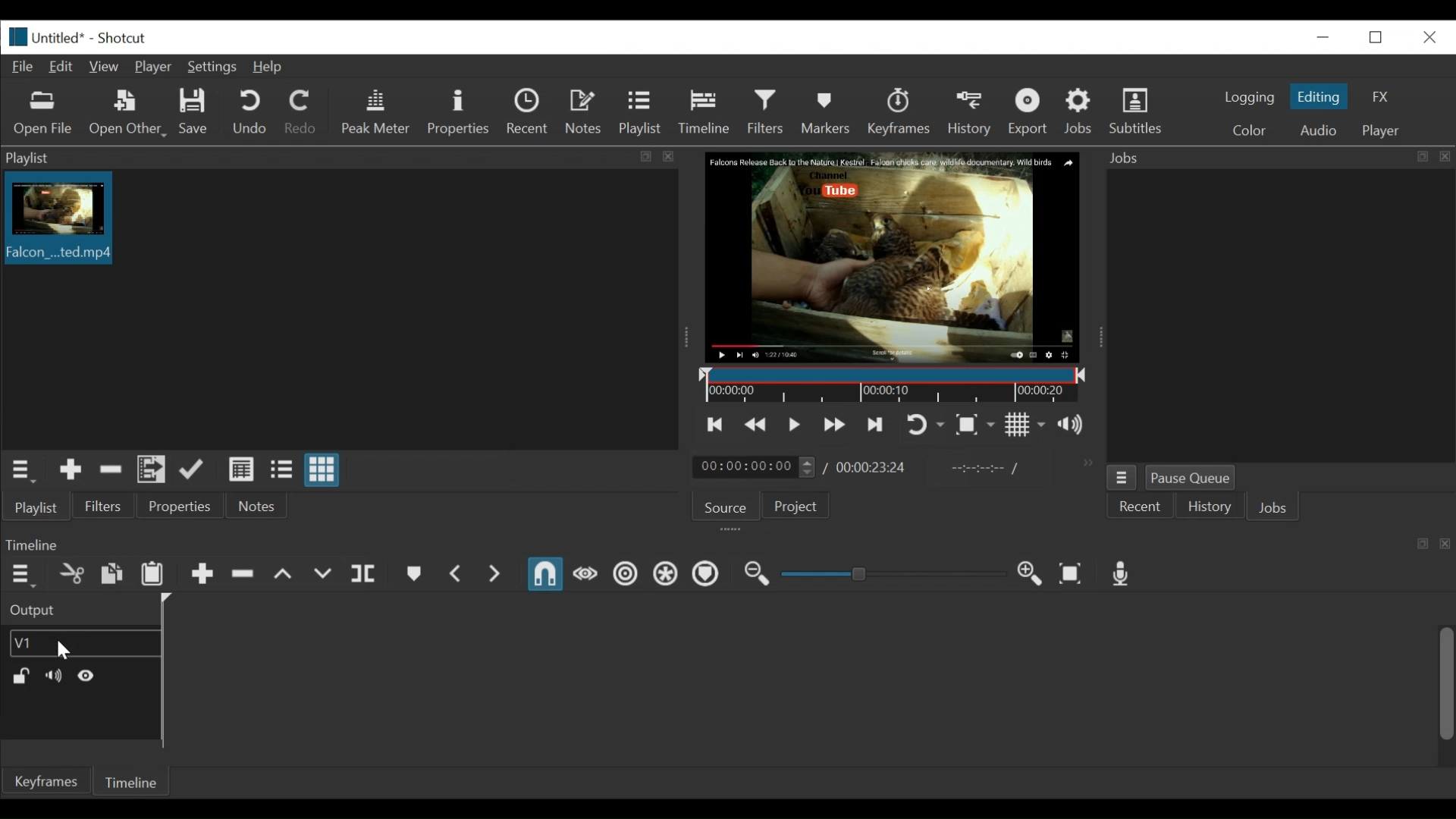  Describe the element at coordinates (337, 309) in the screenshot. I see `Clip thumbnail` at that location.